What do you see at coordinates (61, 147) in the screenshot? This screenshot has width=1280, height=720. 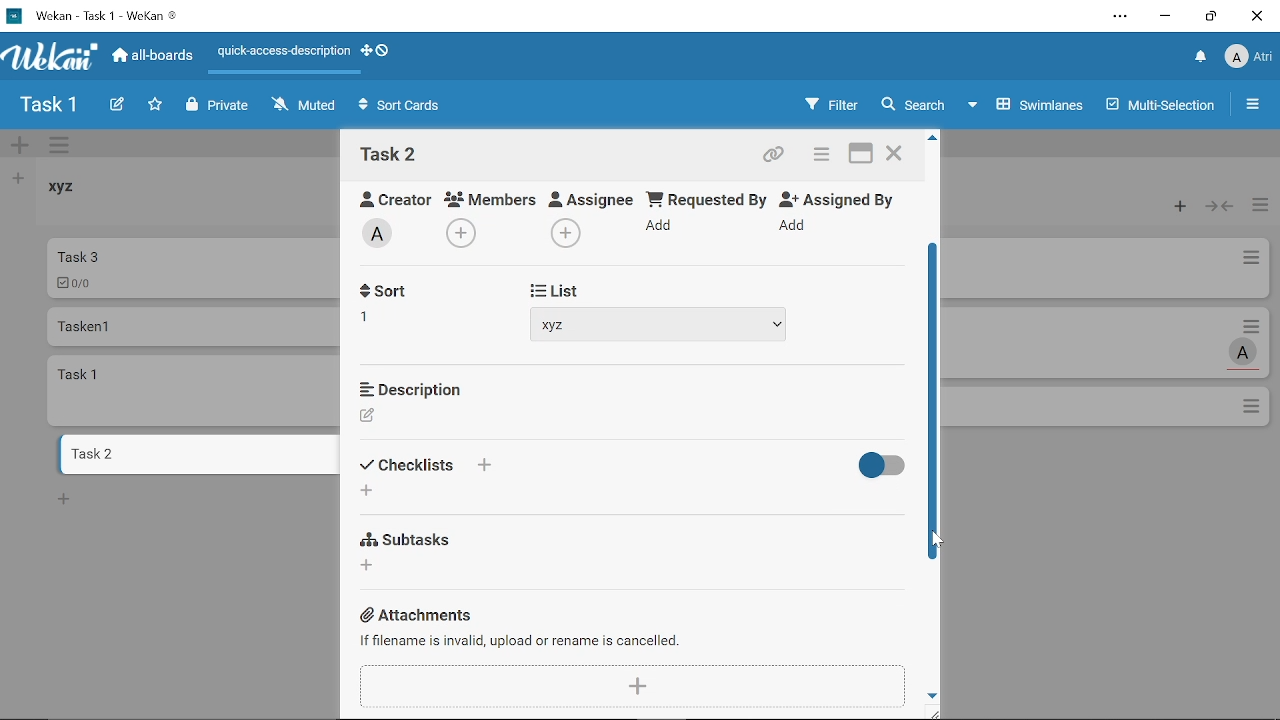 I see `Manage swimlane` at bounding box center [61, 147].